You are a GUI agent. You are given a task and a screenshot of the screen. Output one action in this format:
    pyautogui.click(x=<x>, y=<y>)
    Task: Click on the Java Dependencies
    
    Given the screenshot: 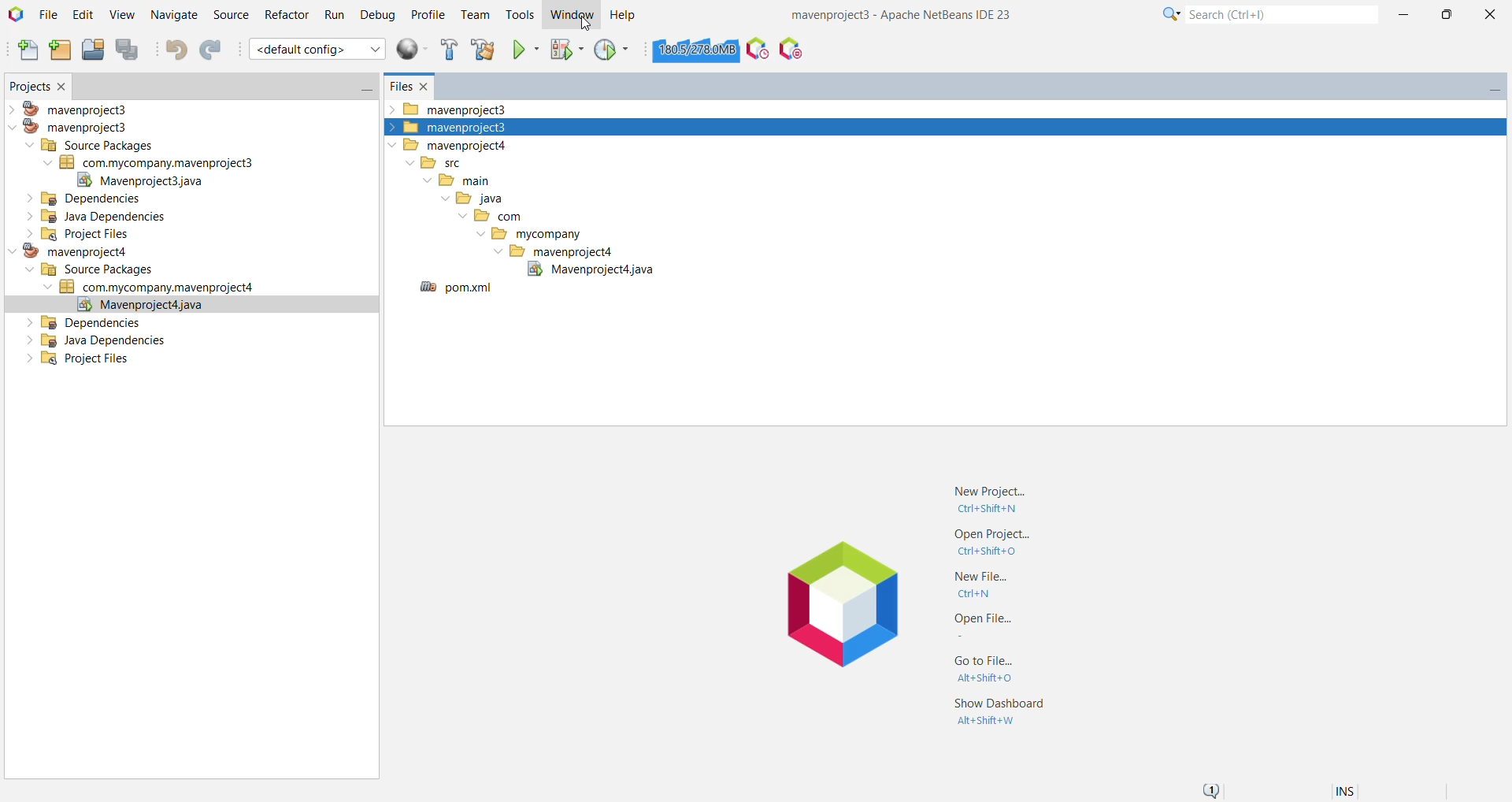 What is the action you would take?
    pyautogui.click(x=91, y=217)
    